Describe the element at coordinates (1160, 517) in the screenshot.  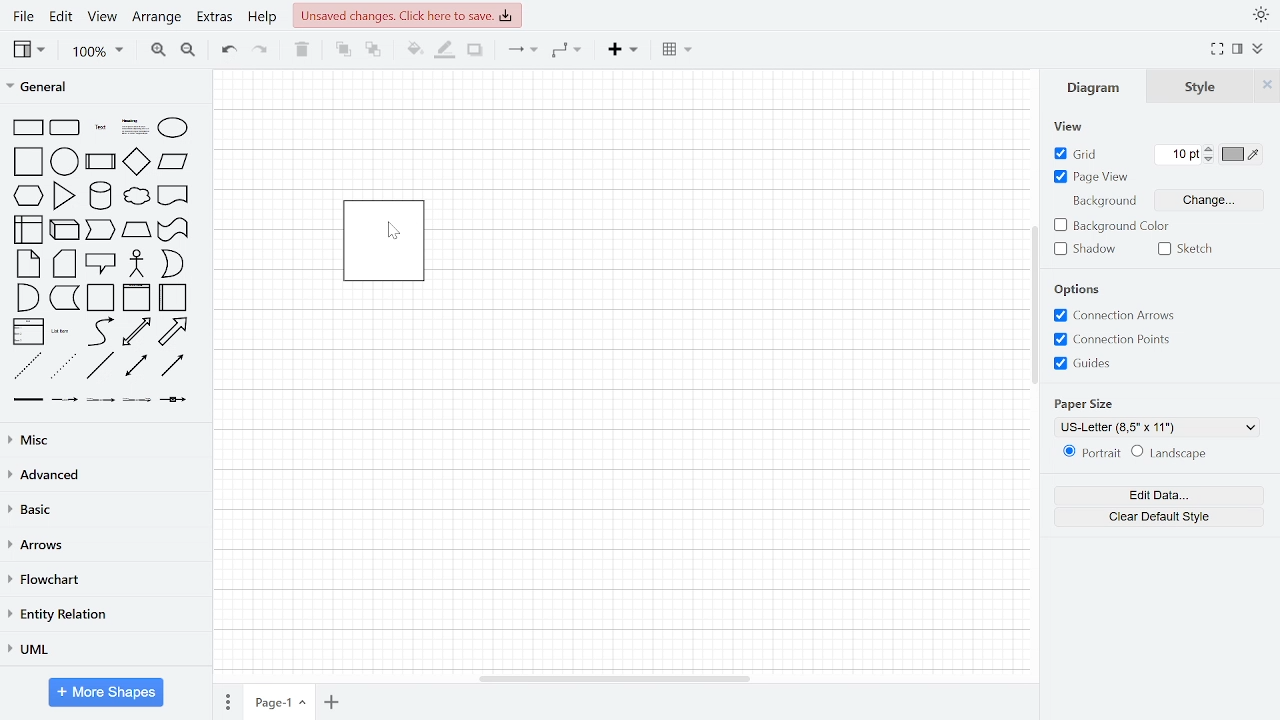
I see `clear default style` at that location.